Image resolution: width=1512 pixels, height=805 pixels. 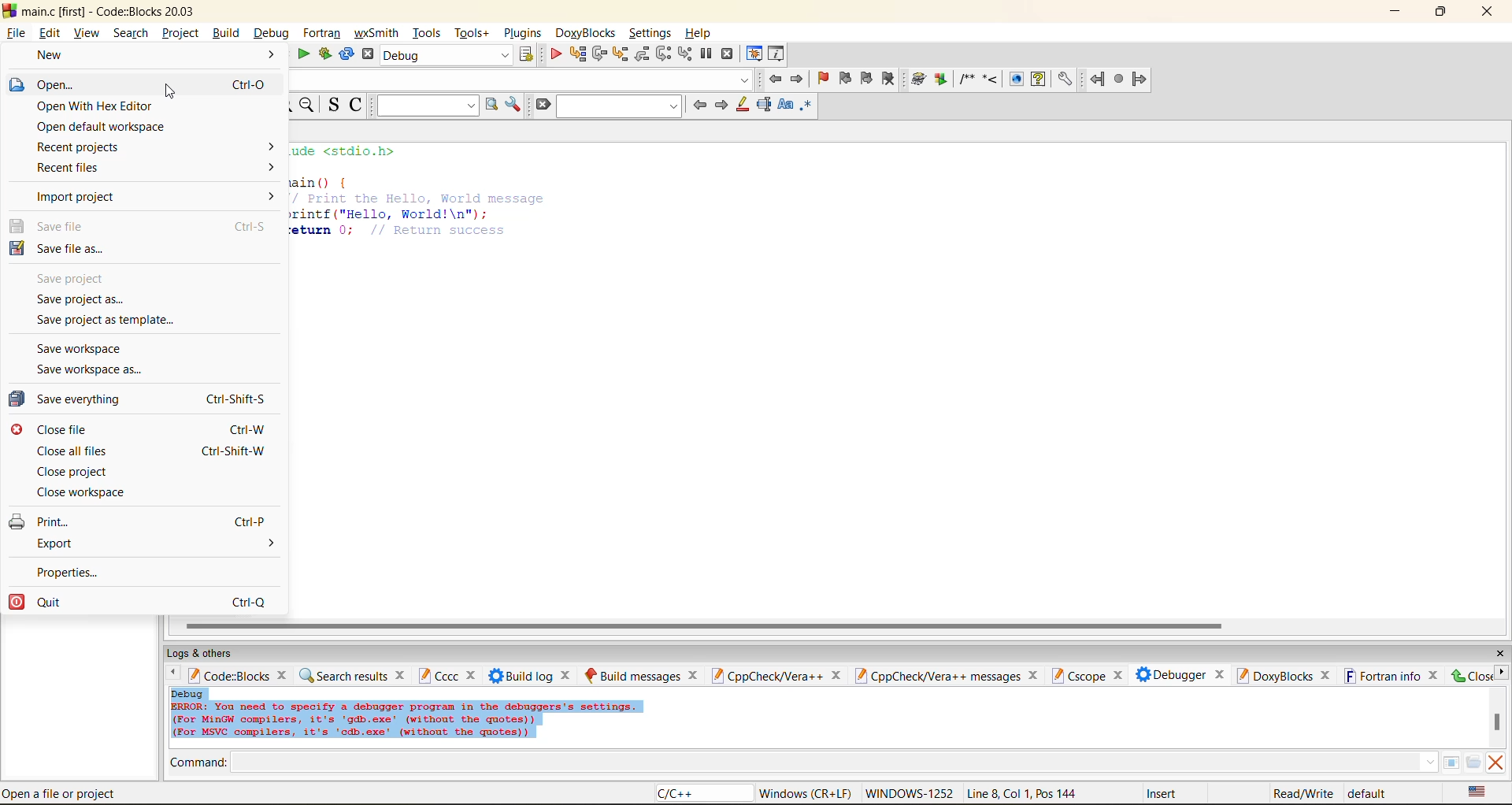 I want to click on resize, so click(x=1441, y=10).